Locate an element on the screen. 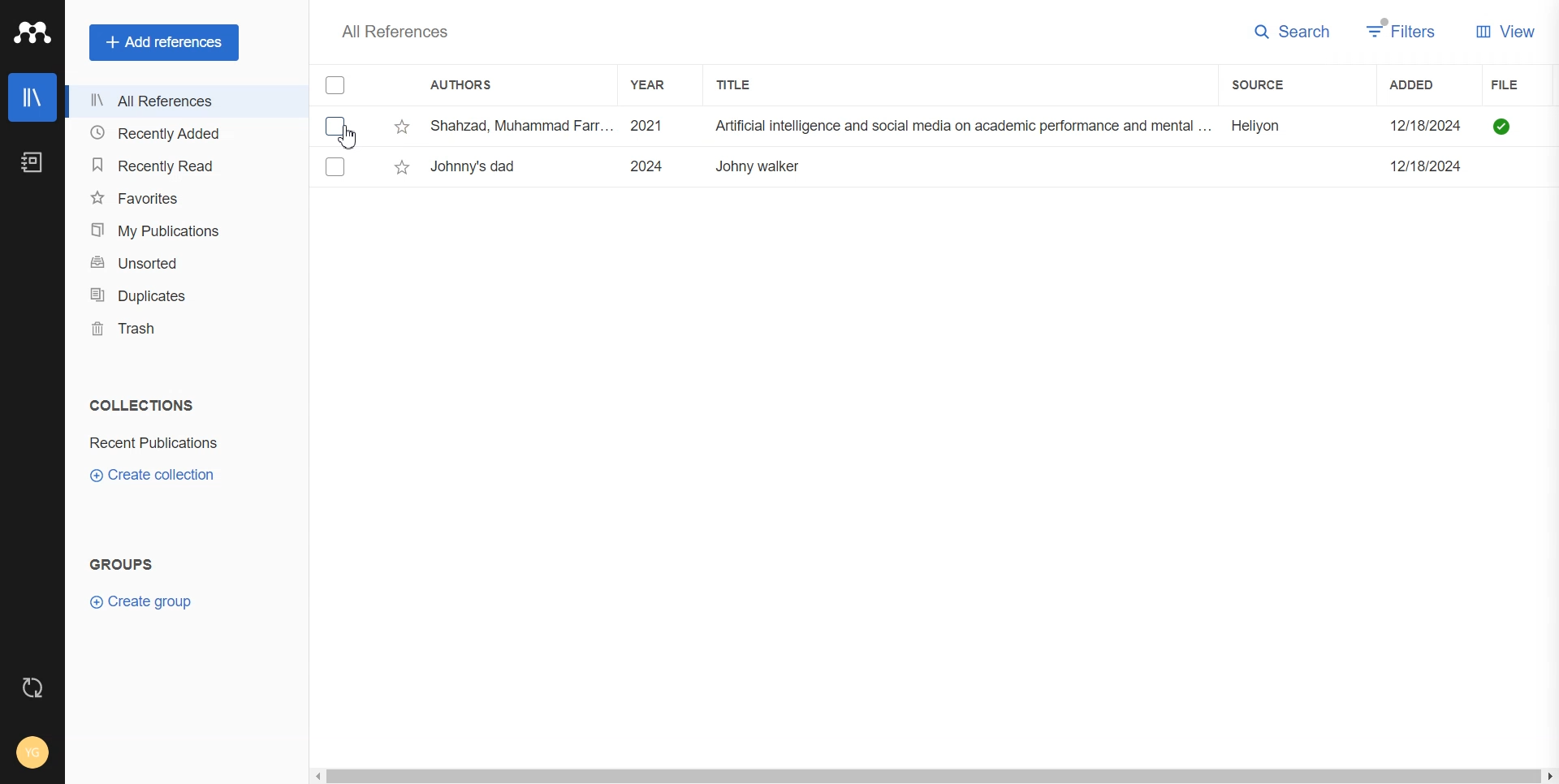 Image resolution: width=1559 pixels, height=784 pixels. Added is located at coordinates (1428, 84).